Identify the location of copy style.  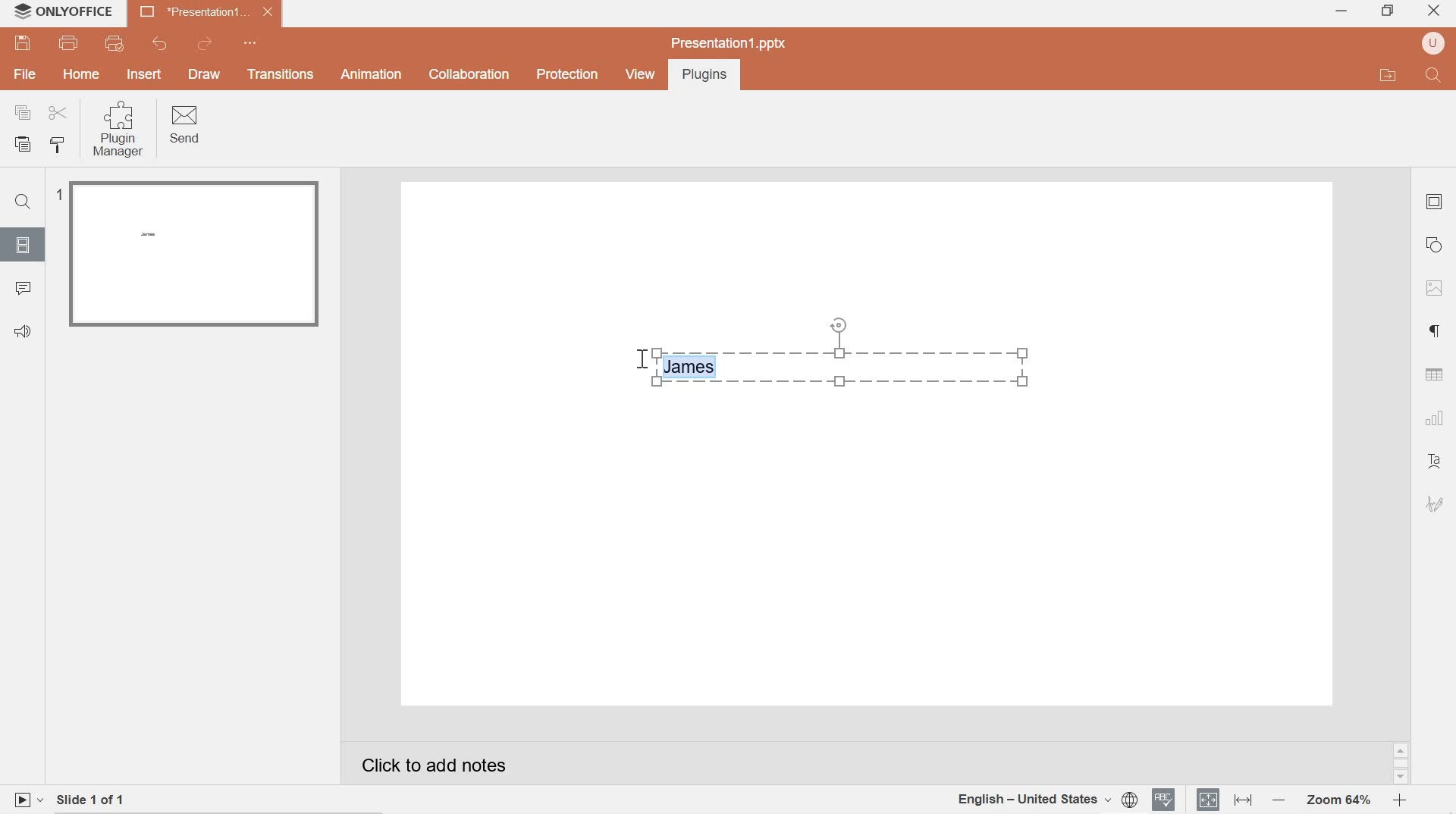
(62, 146).